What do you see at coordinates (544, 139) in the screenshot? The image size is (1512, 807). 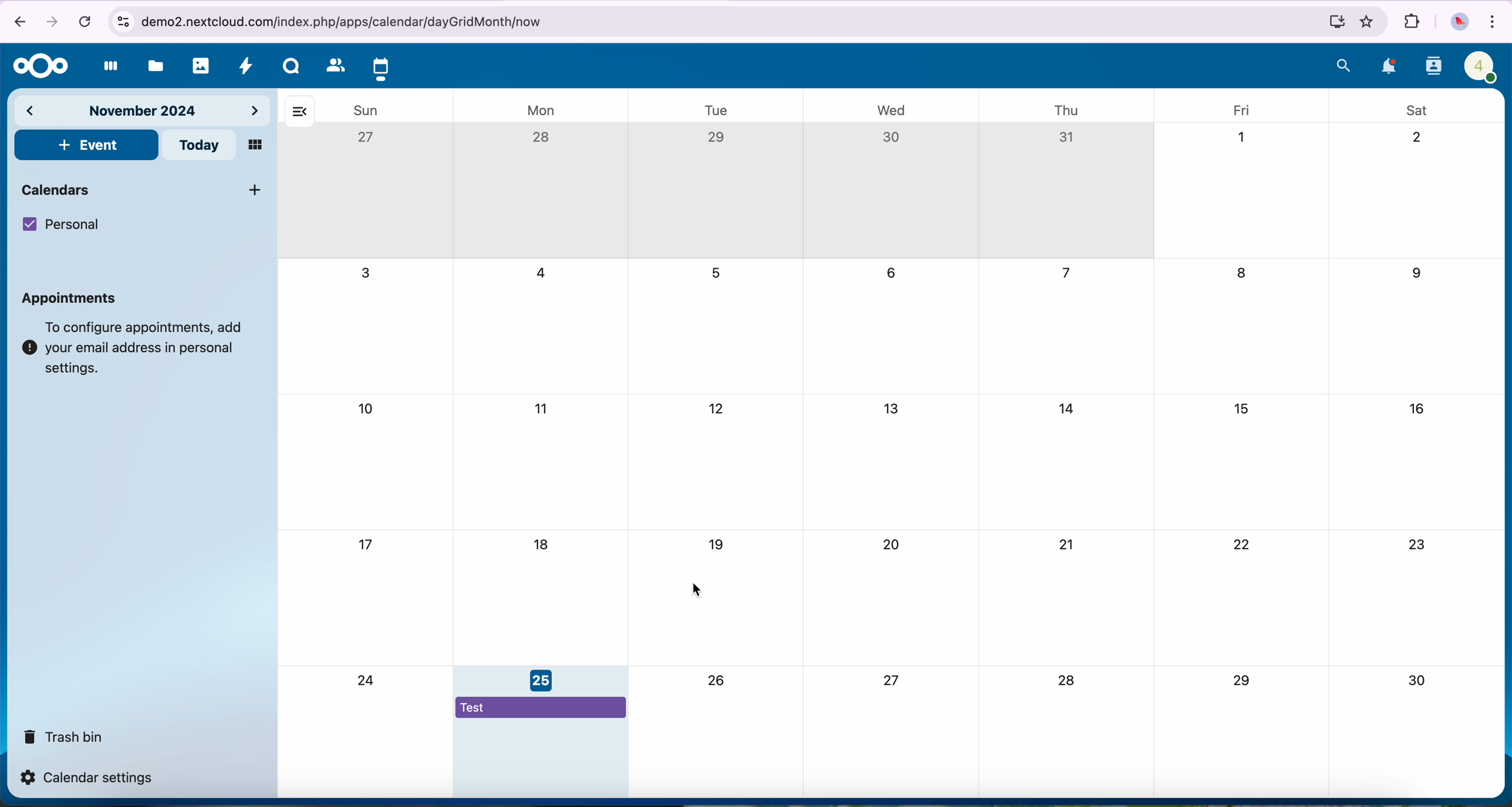 I see `28` at bounding box center [544, 139].